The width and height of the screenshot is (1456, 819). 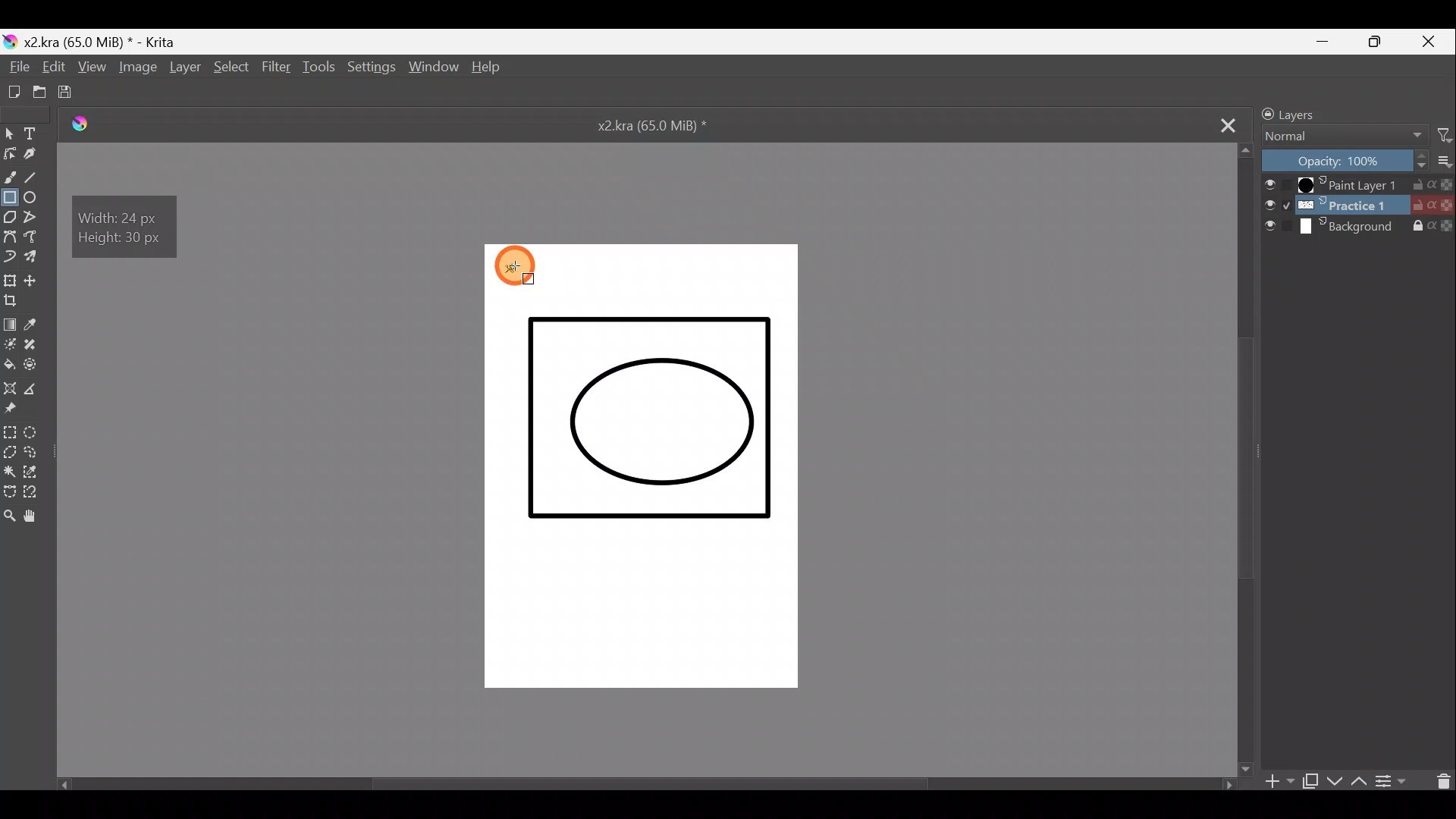 What do you see at coordinates (30, 132) in the screenshot?
I see `Text tool` at bounding box center [30, 132].